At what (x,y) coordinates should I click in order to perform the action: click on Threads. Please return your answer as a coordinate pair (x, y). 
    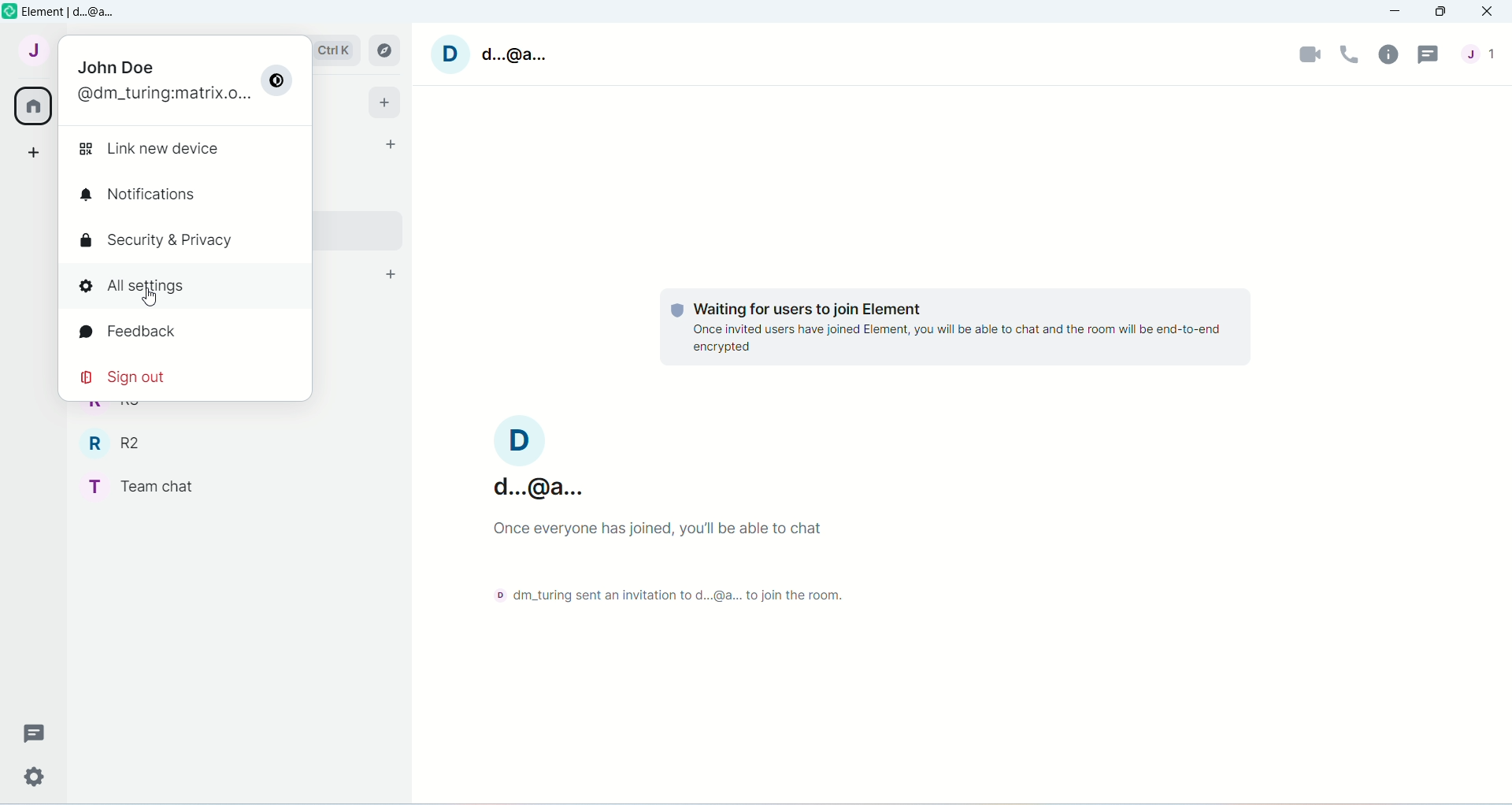
    Looking at the image, I should click on (42, 733).